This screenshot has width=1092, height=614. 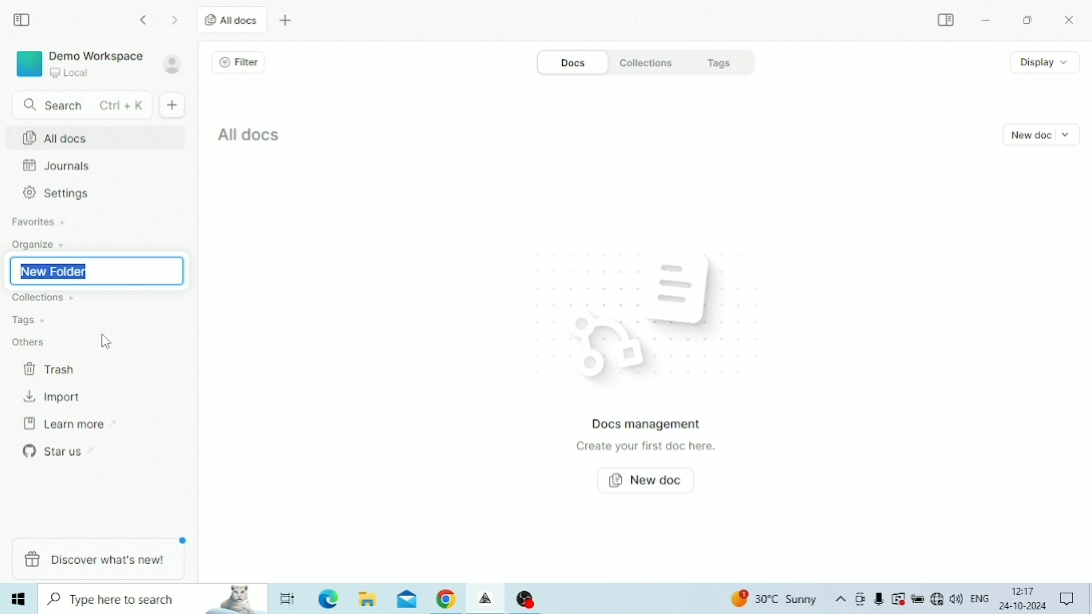 I want to click on Warning, so click(x=898, y=598).